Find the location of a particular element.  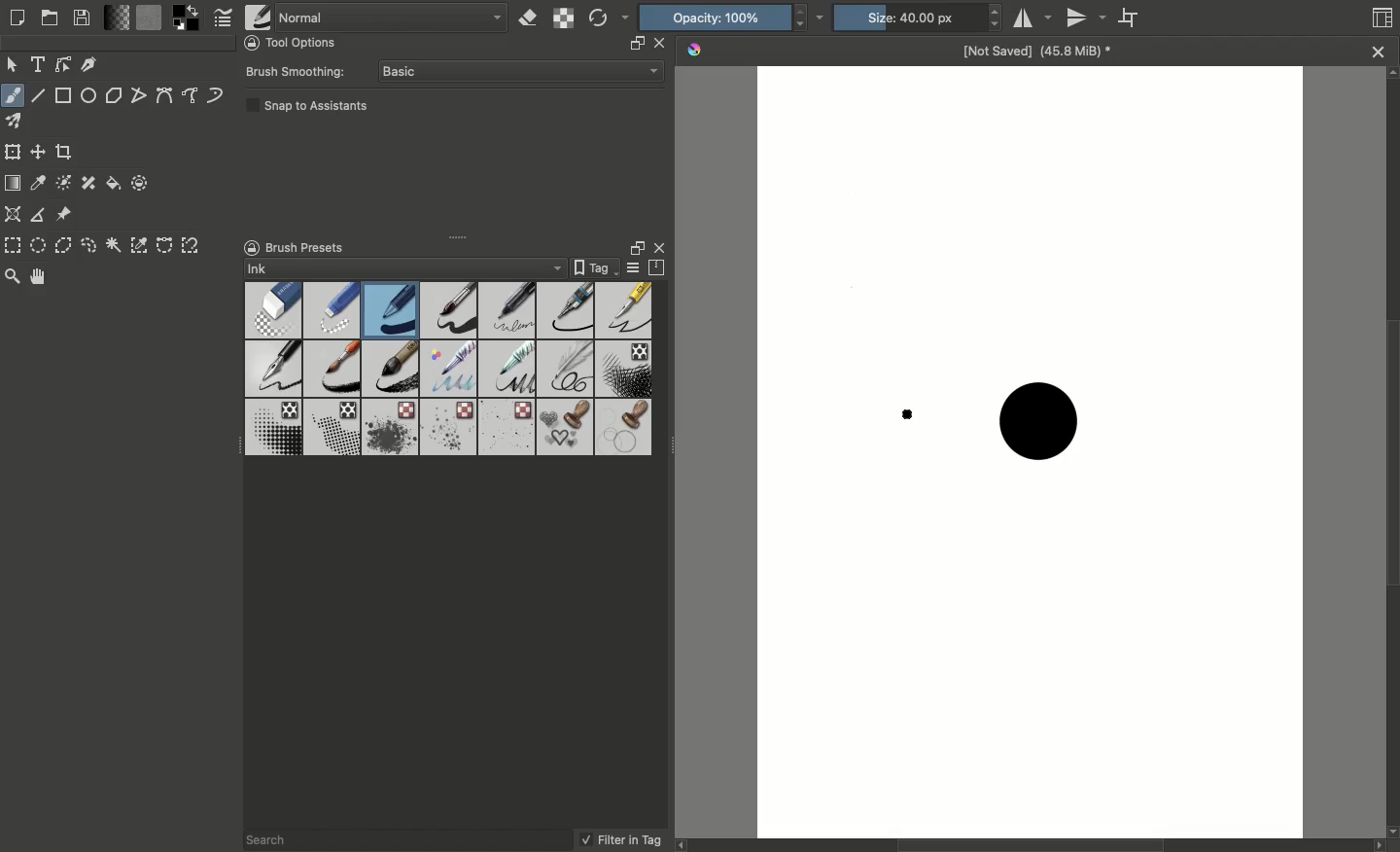

Normal is located at coordinates (393, 16).